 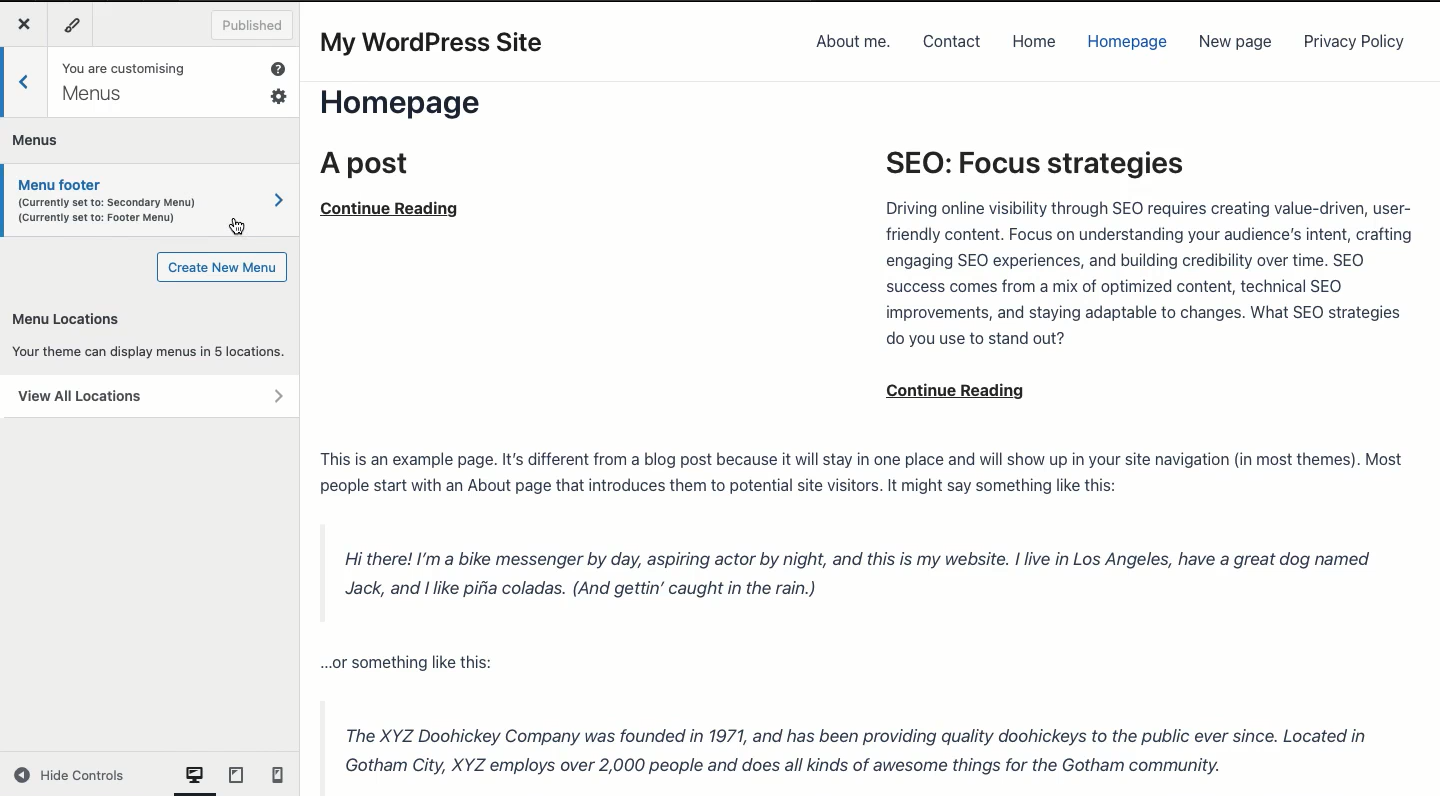 I want to click on Contact, so click(x=951, y=43).